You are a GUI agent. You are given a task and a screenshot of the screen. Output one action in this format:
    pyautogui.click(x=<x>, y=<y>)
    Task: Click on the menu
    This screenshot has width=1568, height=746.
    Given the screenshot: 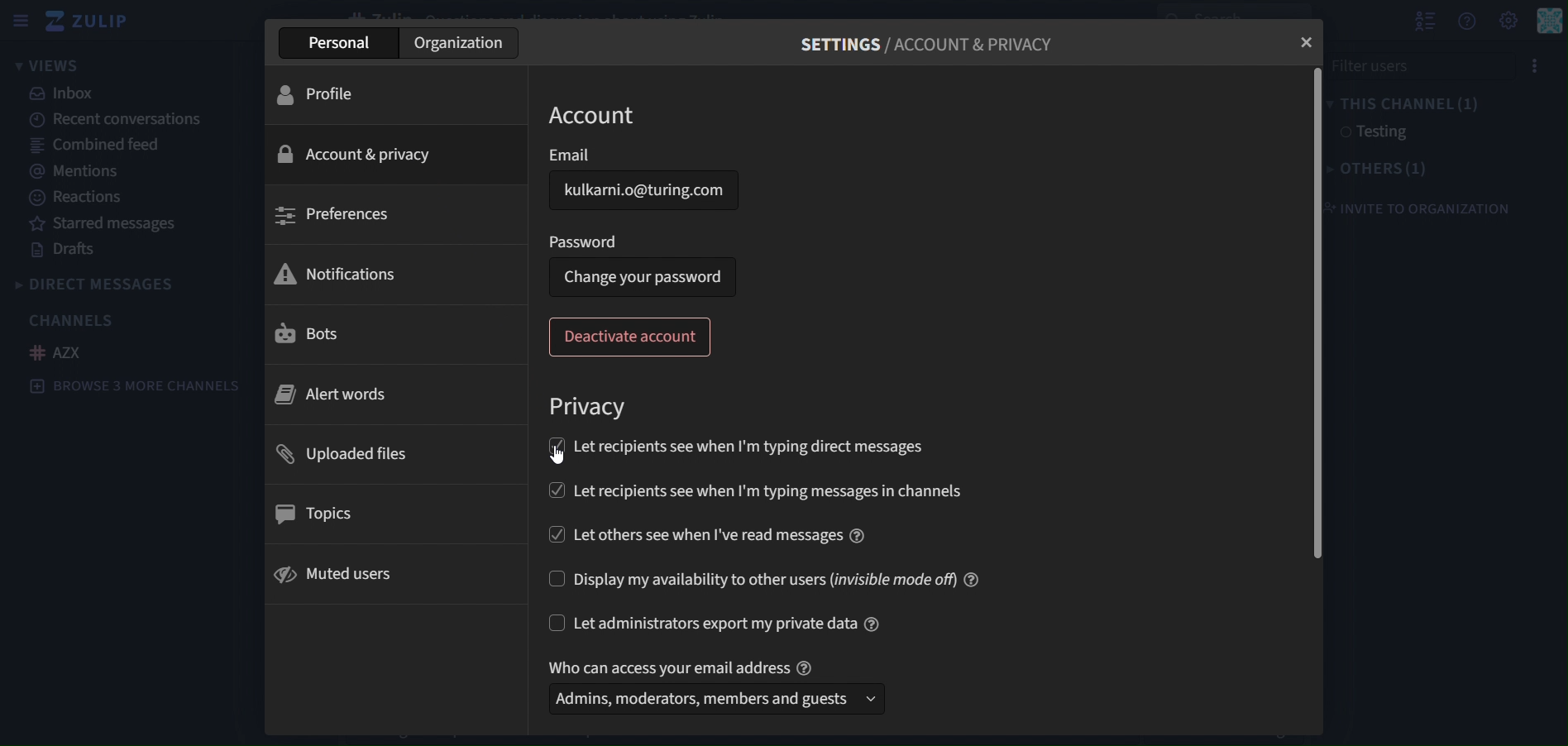 What is the action you would take?
    pyautogui.click(x=1536, y=61)
    